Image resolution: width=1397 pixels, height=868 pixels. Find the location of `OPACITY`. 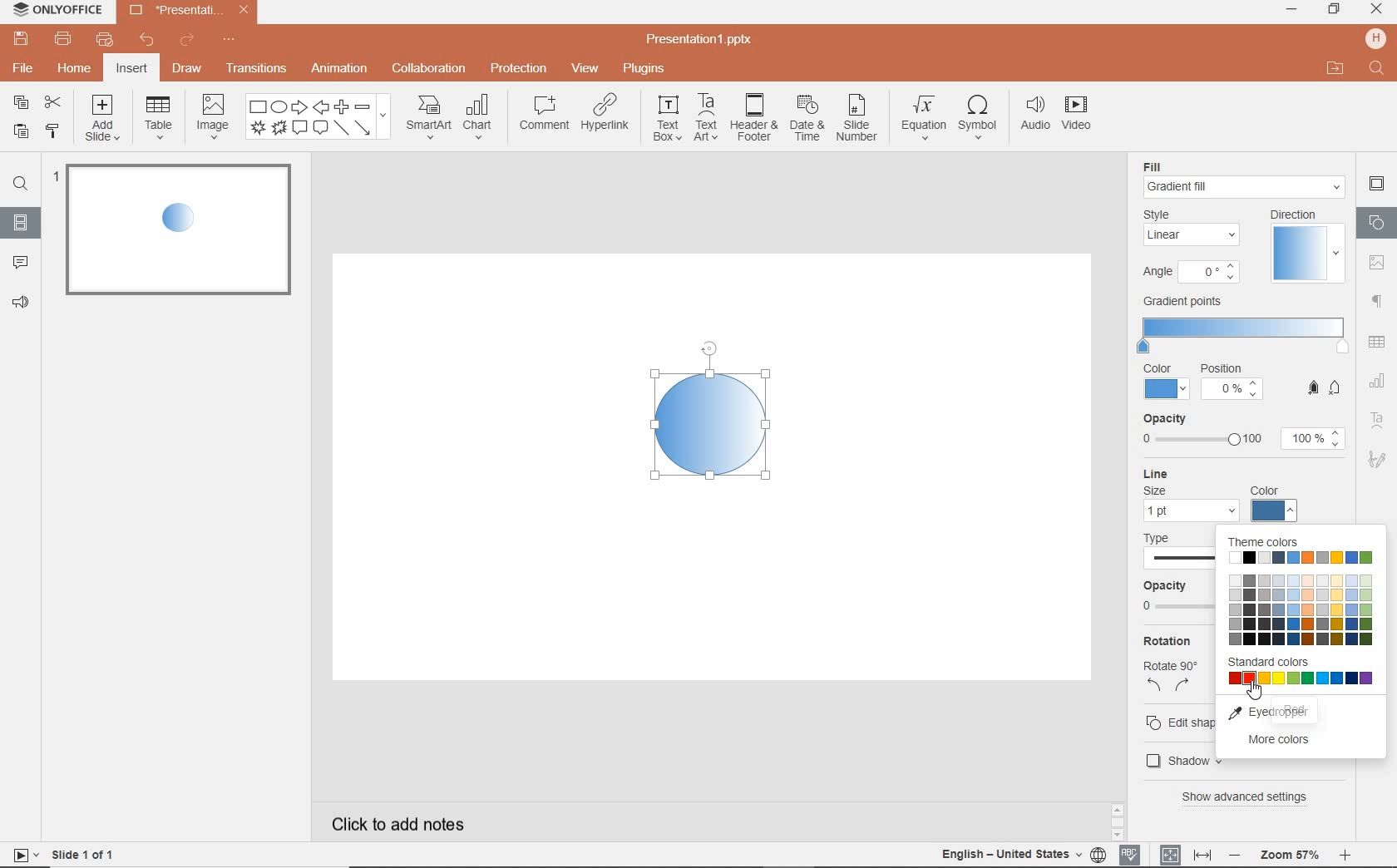

OPACITY is located at coordinates (1242, 433).